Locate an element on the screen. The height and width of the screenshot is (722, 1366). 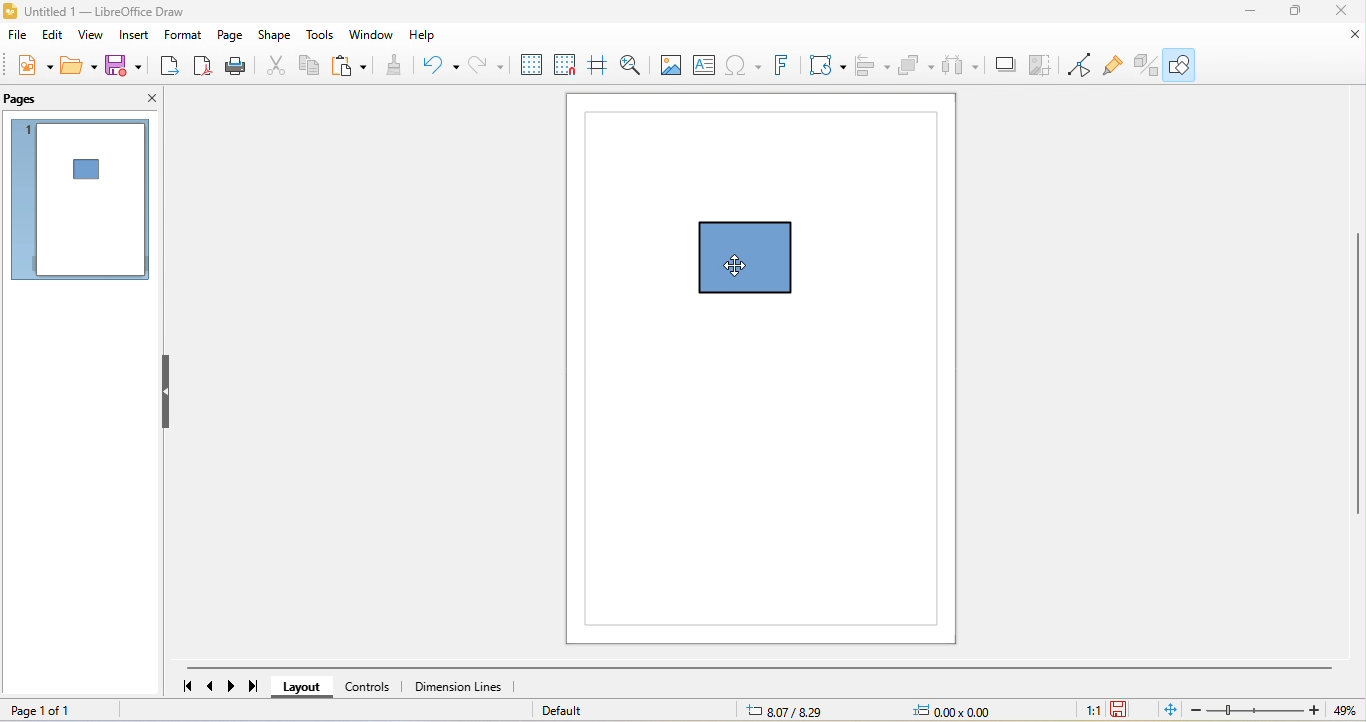
save is located at coordinates (127, 65).